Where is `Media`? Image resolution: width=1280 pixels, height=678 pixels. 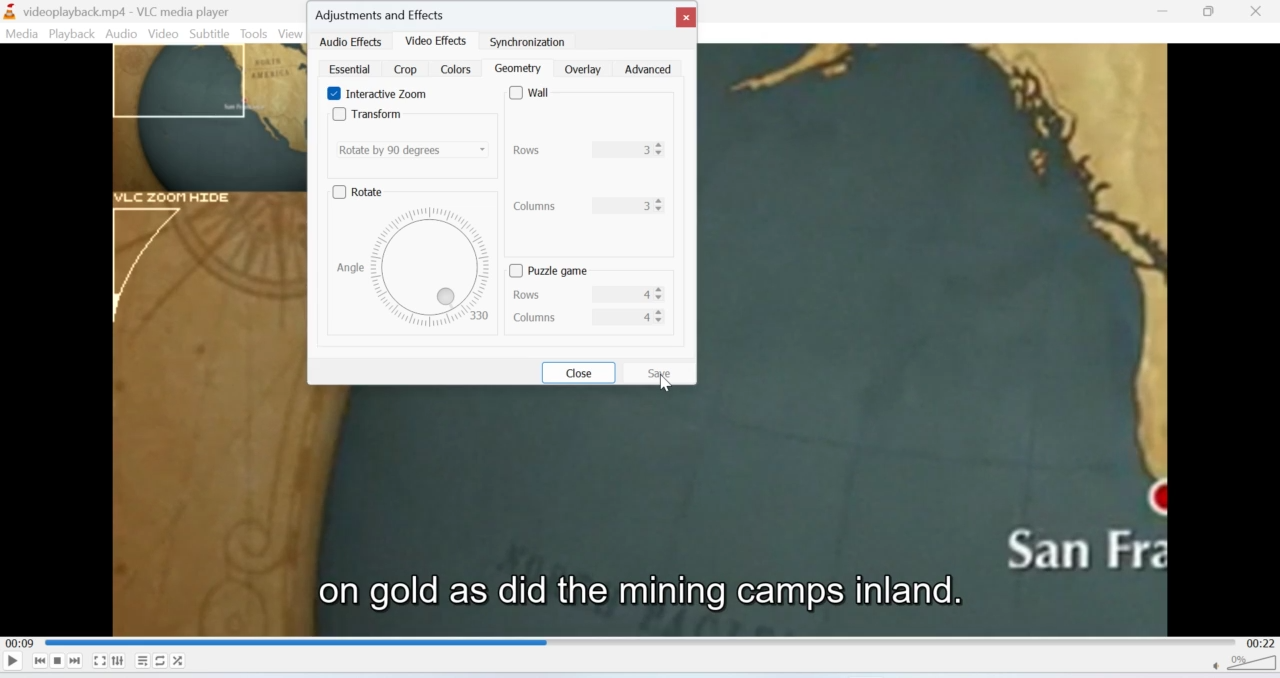 Media is located at coordinates (20, 34).